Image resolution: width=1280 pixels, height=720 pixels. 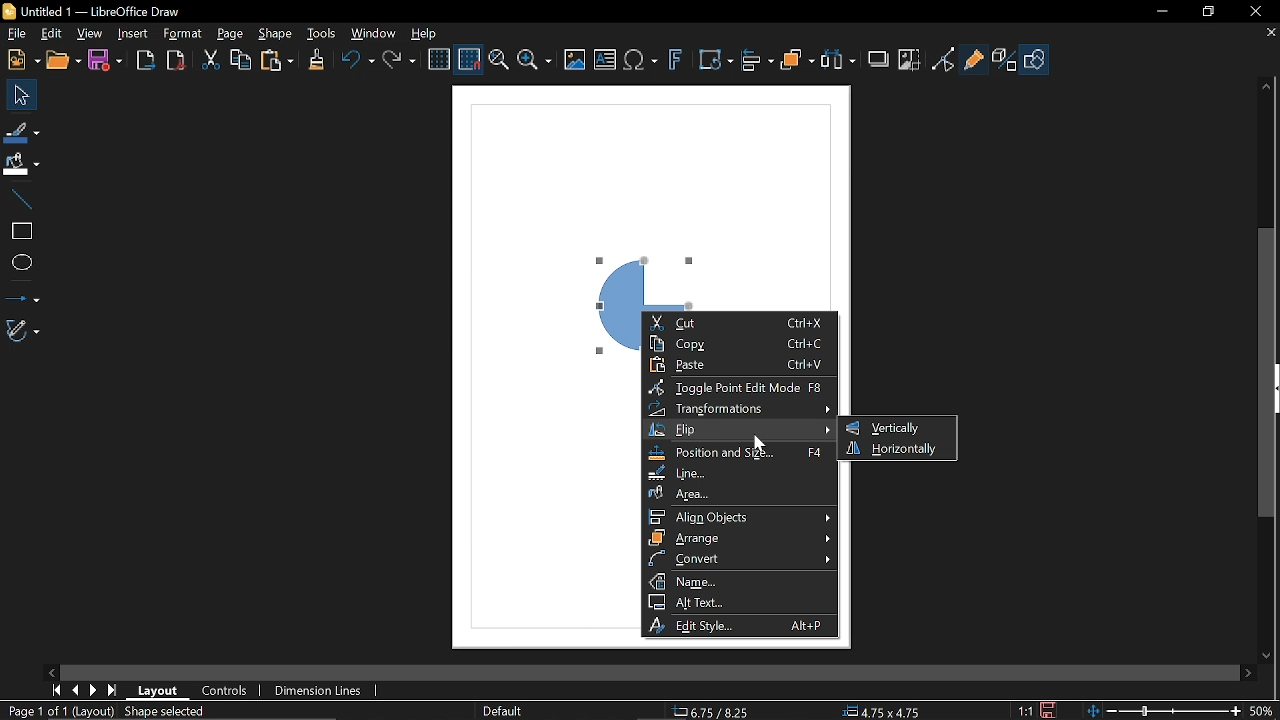 What do you see at coordinates (677, 61) in the screenshot?
I see `insert fontwork` at bounding box center [677, 61].